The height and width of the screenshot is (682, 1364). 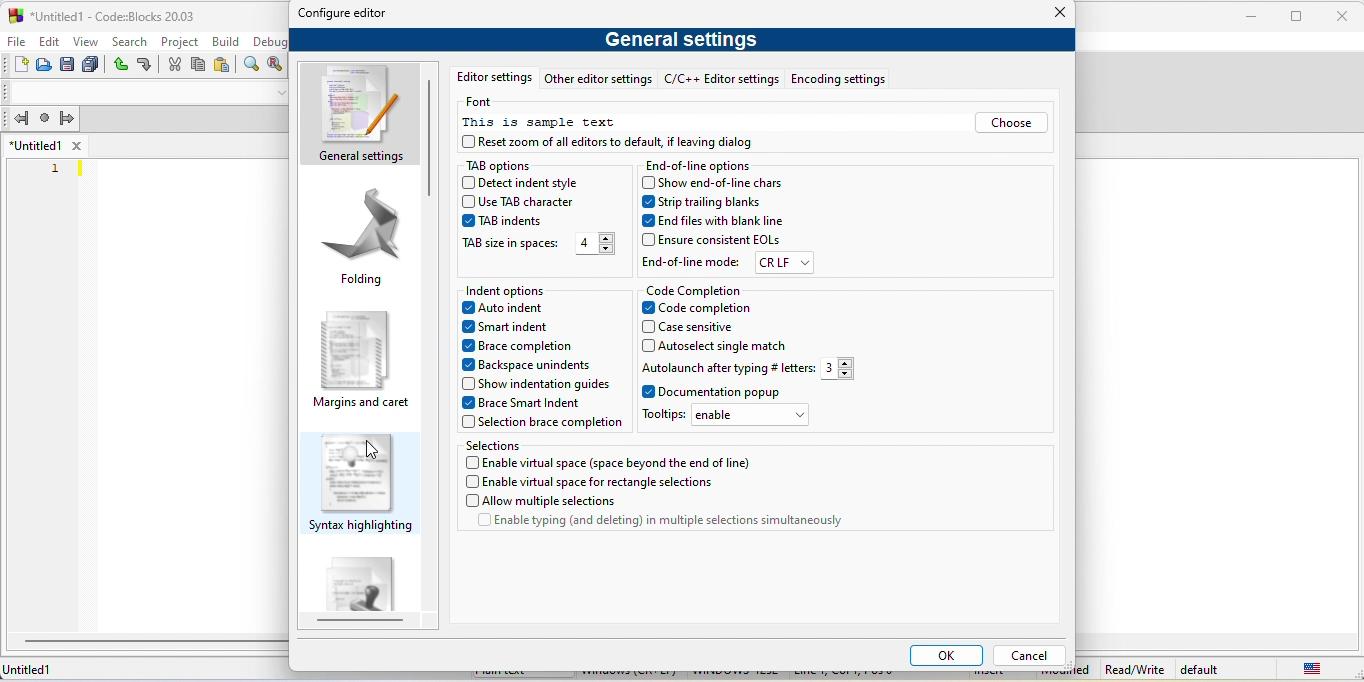 What do you see at coordinates (521, 202) in the screenshot?
I see `use tab character` at bounding box center [521, 202].